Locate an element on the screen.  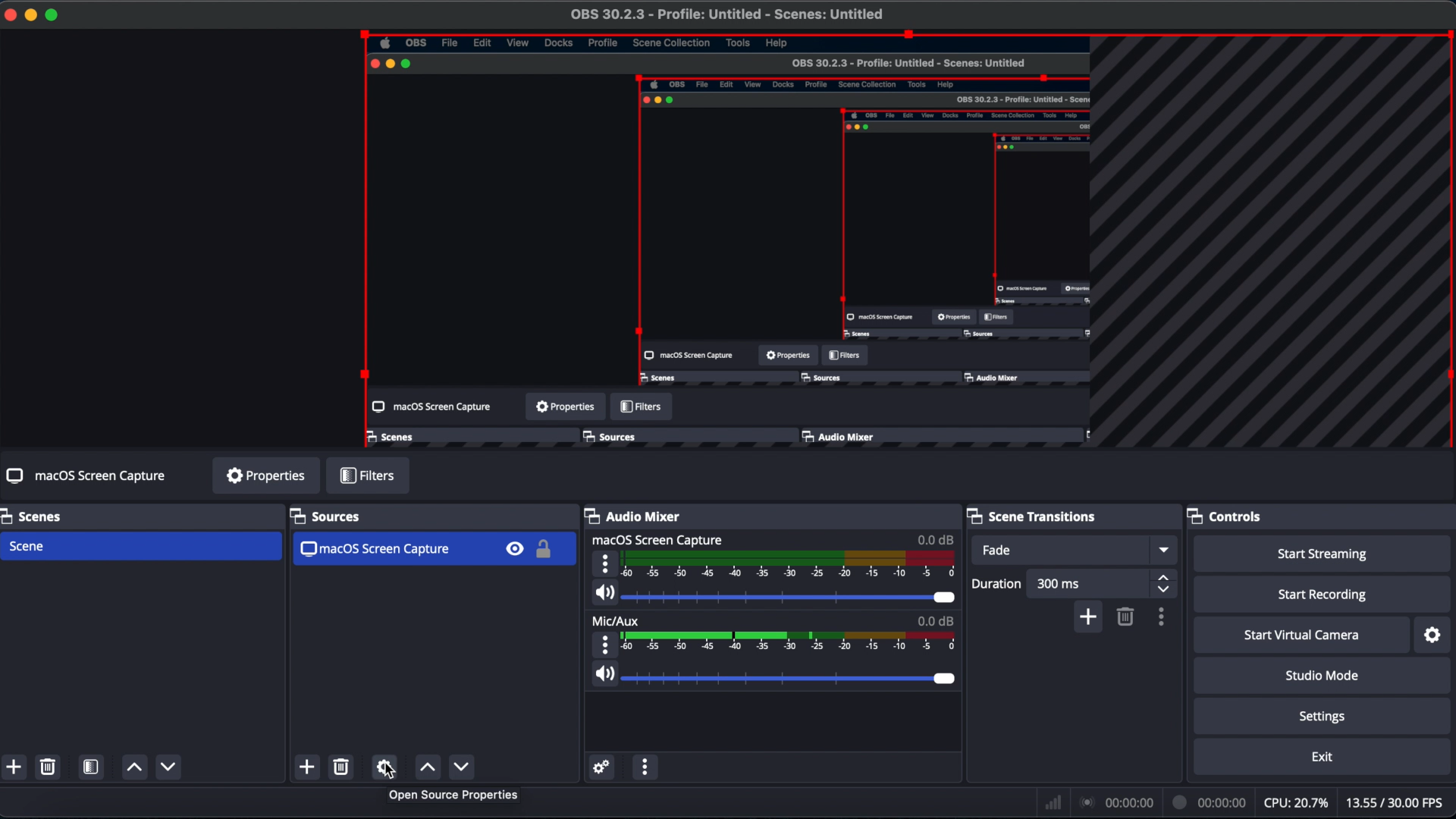
controls is located at coordinates (1223, 516).